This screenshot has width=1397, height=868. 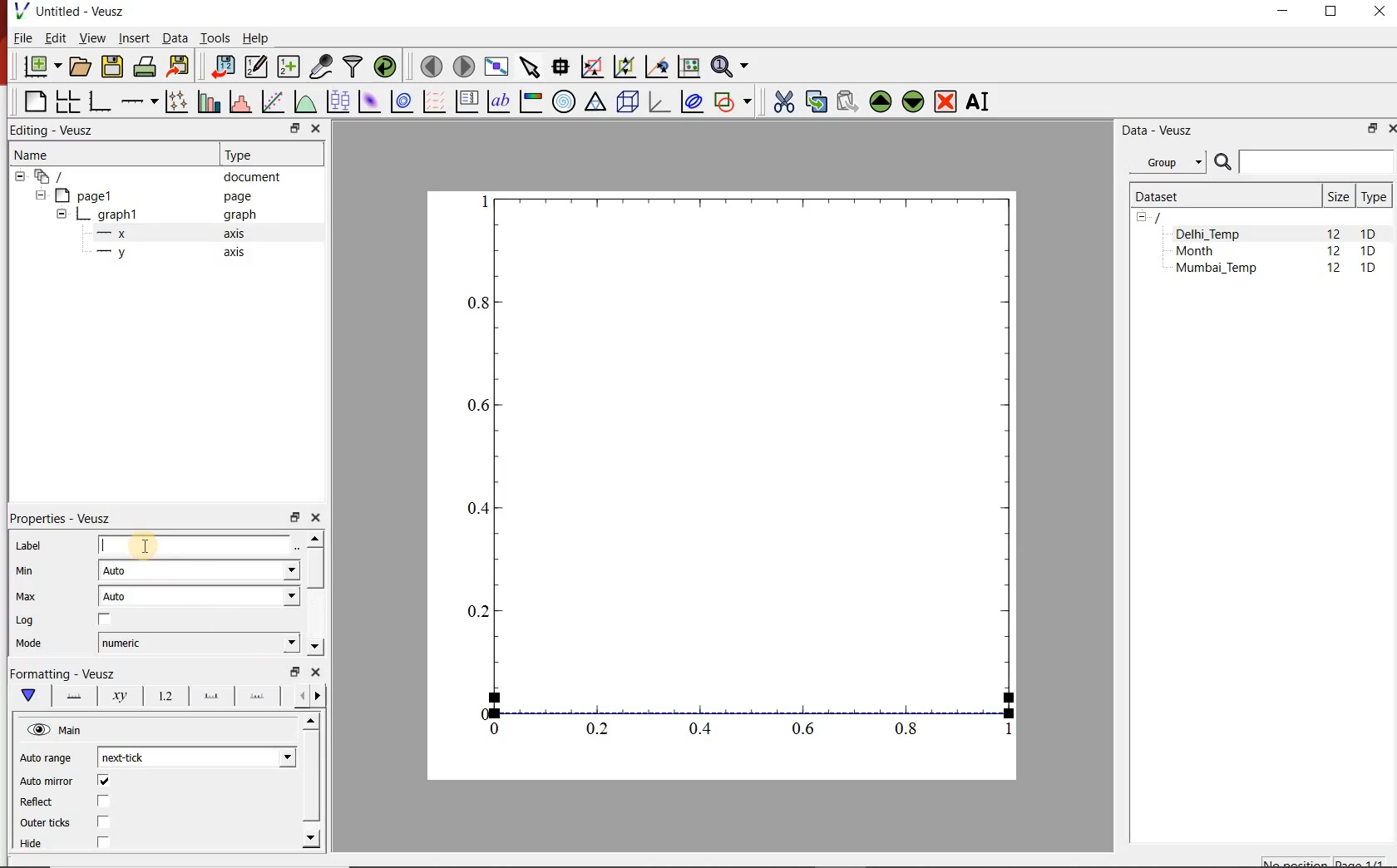 I want to click on cut the selected widget, so click(x=783, y=101).